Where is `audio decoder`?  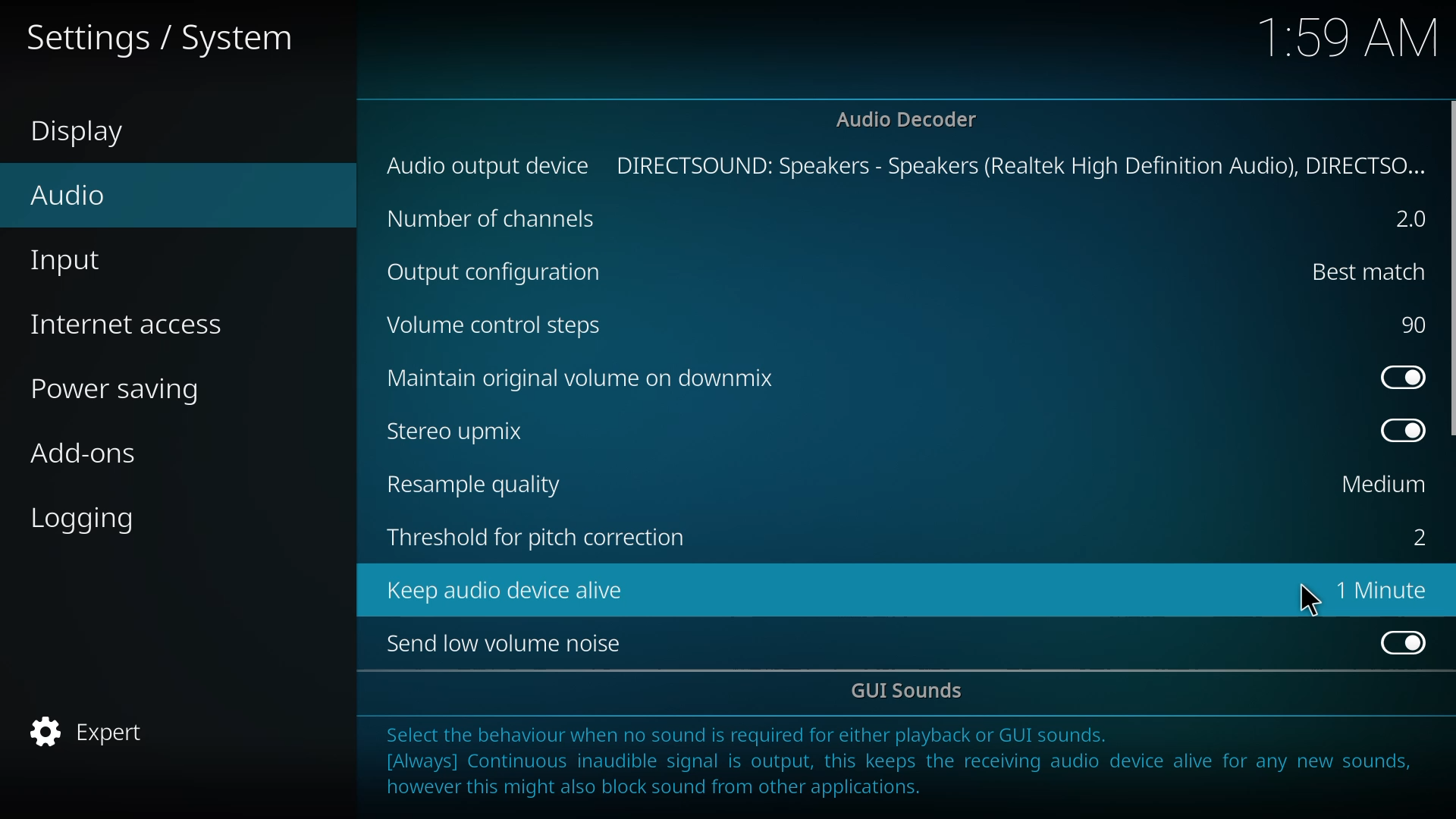 audio decoder is located at coordinates (907, 119).